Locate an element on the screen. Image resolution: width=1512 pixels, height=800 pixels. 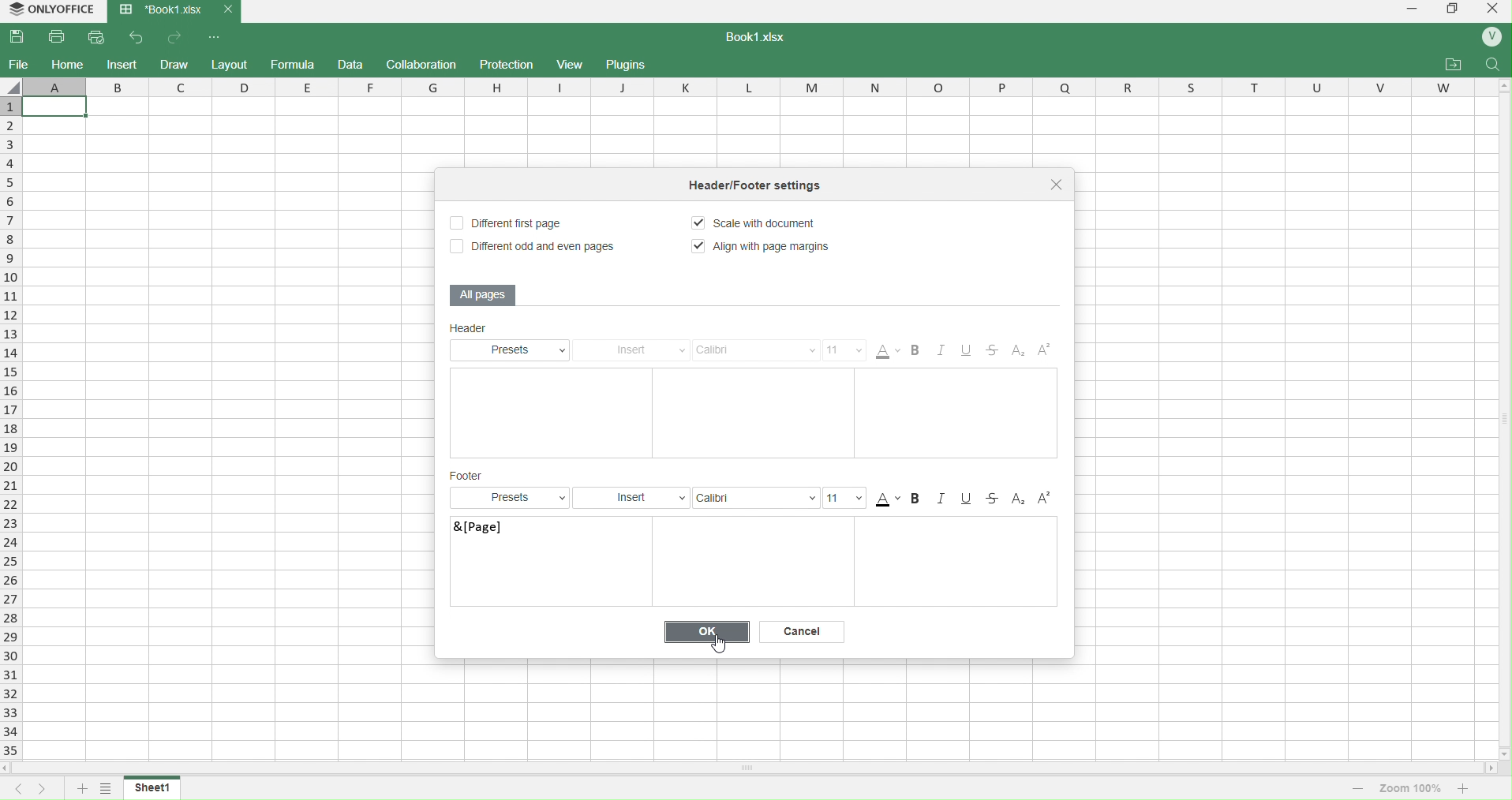
close current tab is located at coordinates (226, 9).